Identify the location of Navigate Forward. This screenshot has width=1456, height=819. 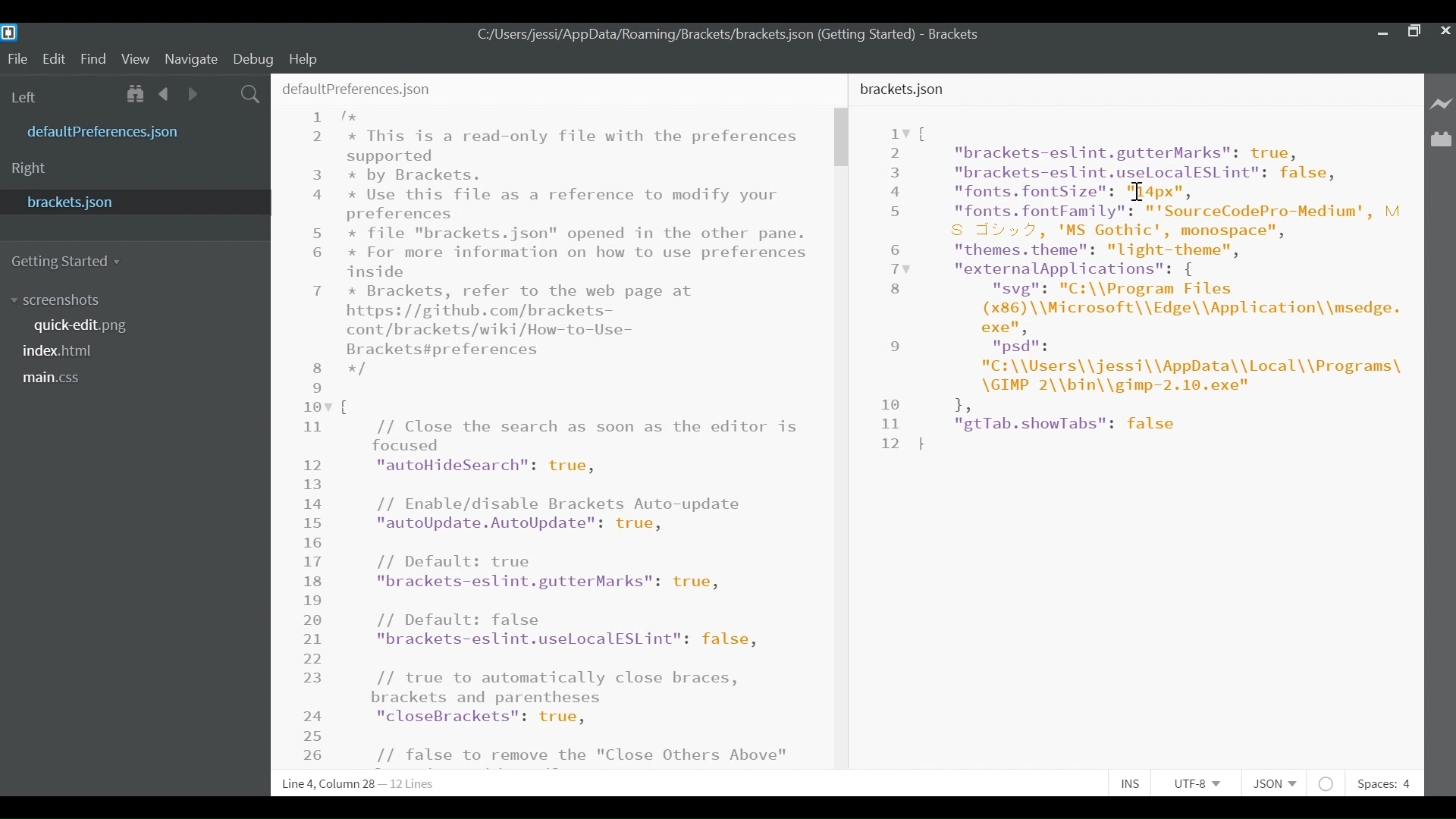
(189, 96).